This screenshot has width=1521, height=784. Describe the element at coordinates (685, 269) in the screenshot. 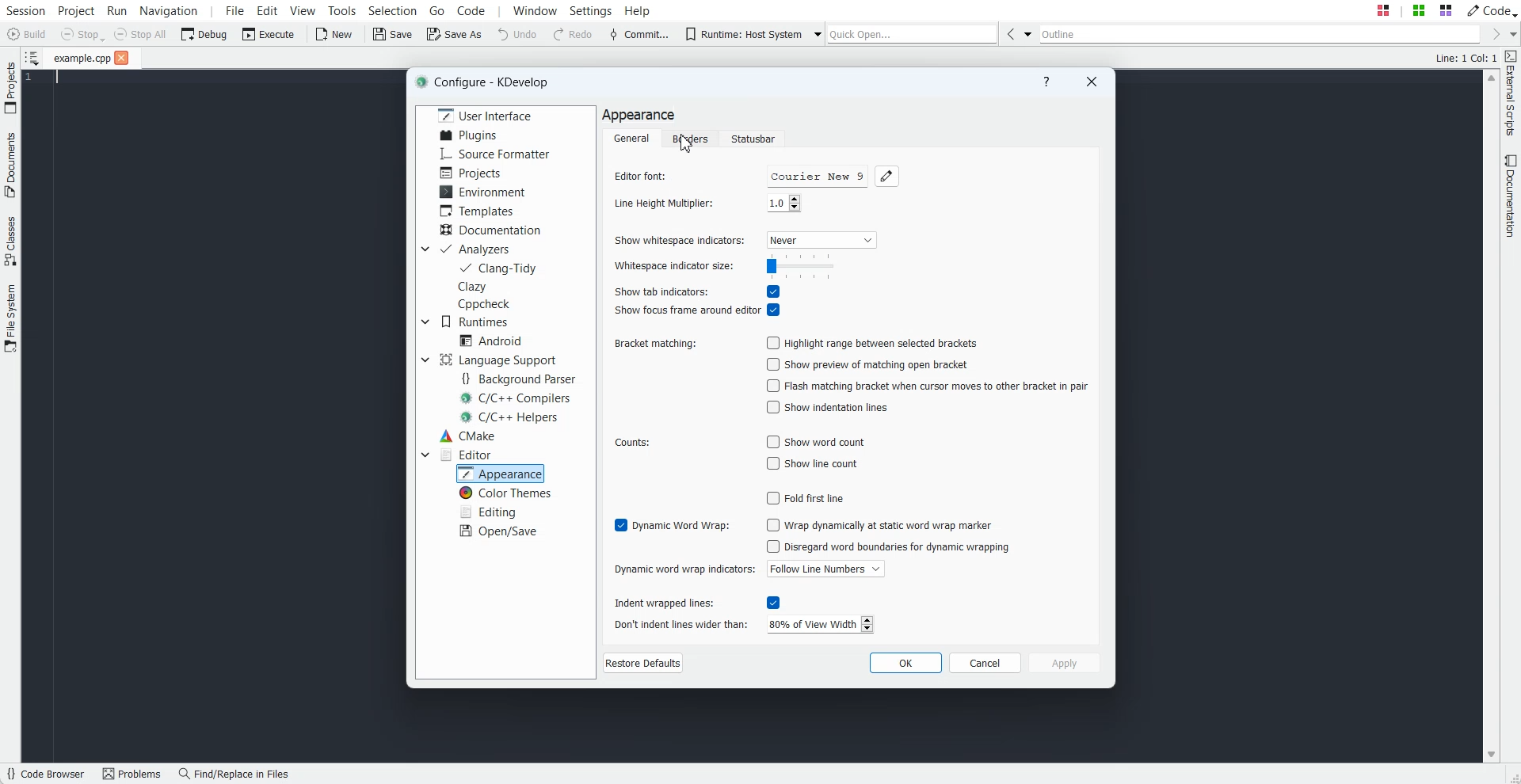

I see `Whitespace indicator size` at that location.